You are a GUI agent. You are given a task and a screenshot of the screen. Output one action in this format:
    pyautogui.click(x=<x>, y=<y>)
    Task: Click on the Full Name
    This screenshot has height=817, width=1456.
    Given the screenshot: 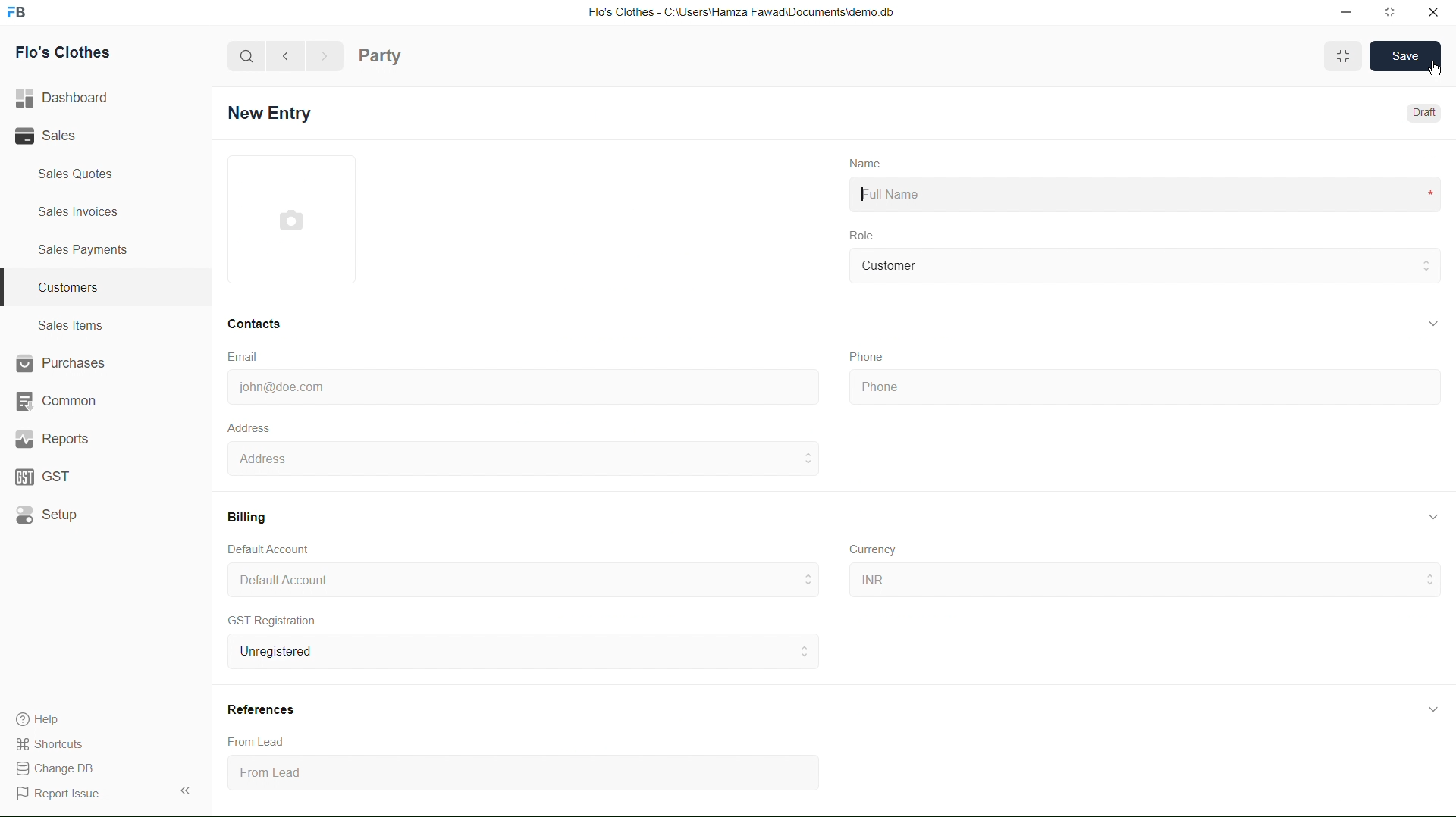 What is the action you would take?
    pyautogui.click(x=1143, y=196)
    